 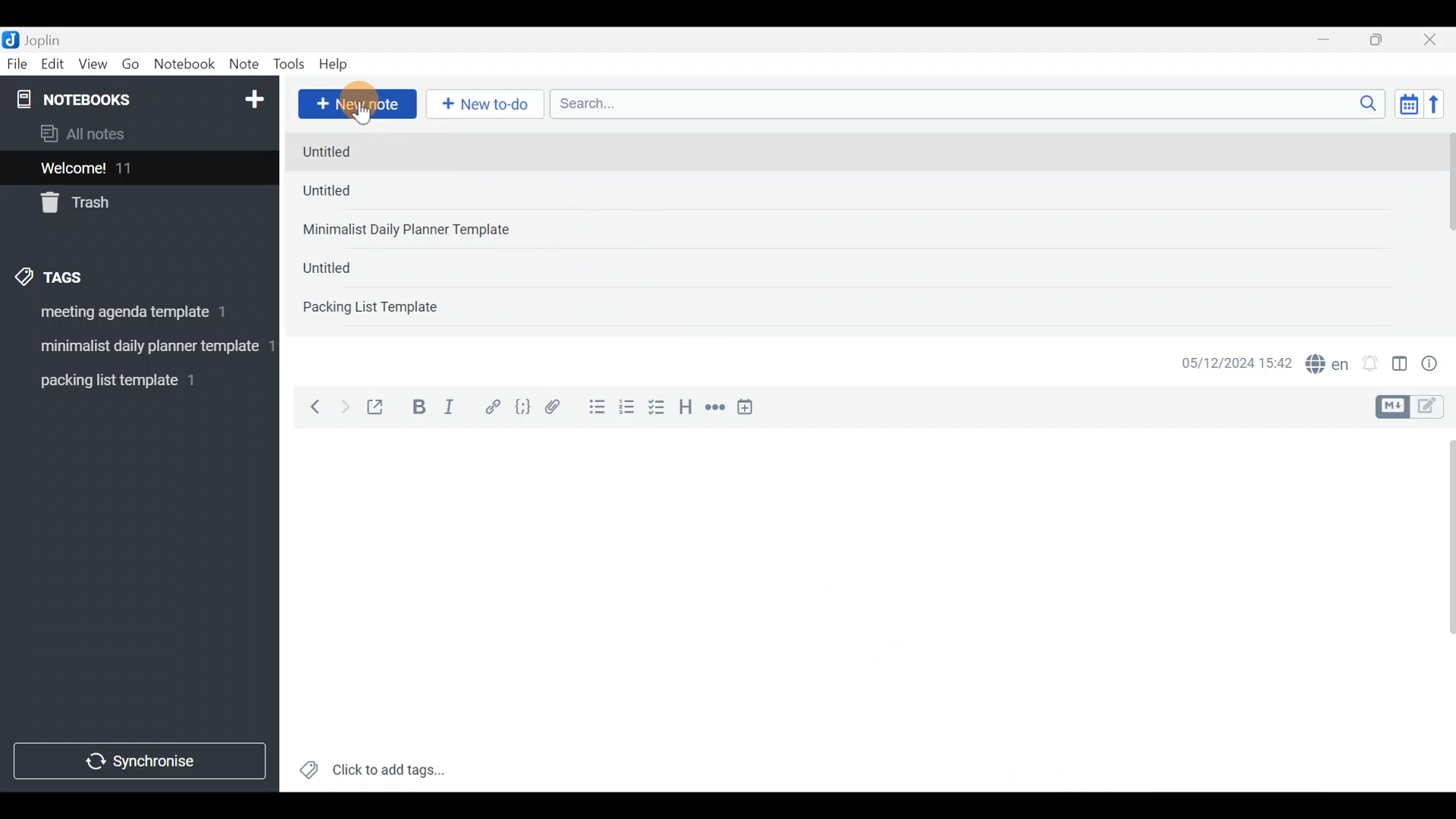 What do you see at coordinates (290, 65) in the screenshot?
I see `Tools` at bounding box center [290, 65].